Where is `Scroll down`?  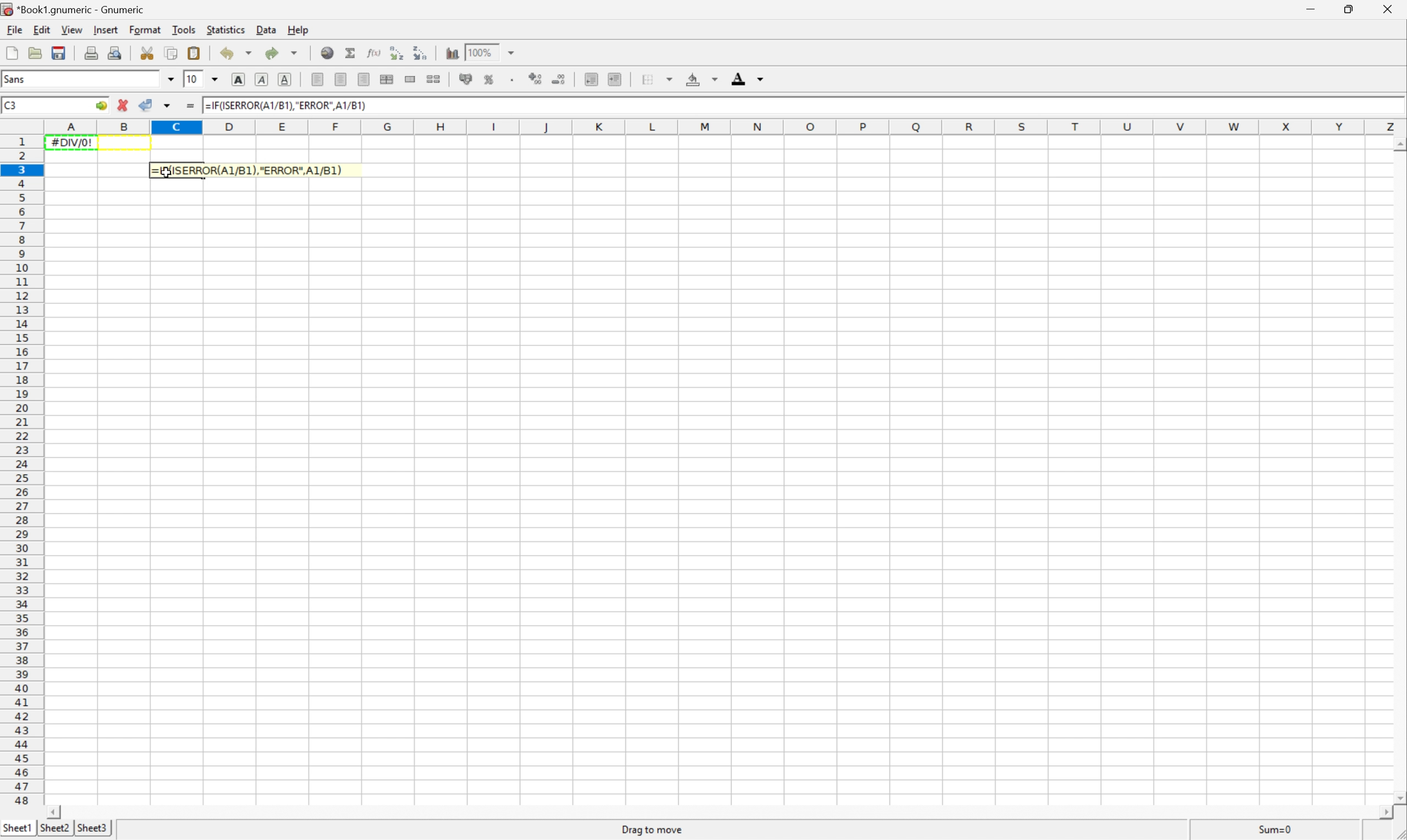
Scroll down is located at coordinates (1396, 798).